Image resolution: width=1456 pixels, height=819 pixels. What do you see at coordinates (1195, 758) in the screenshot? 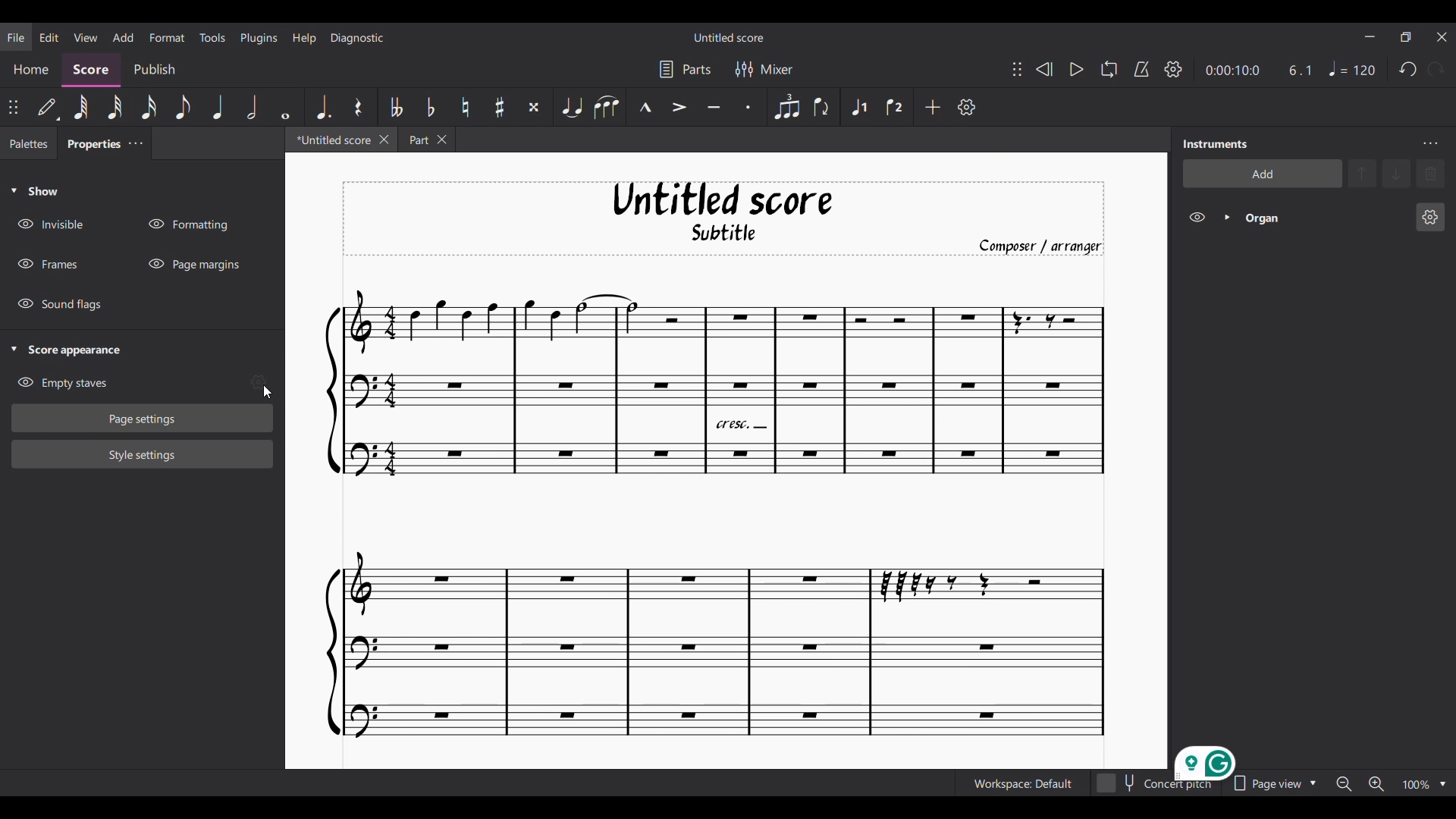
I see `grammarly` at bounding box center [1195, 758].